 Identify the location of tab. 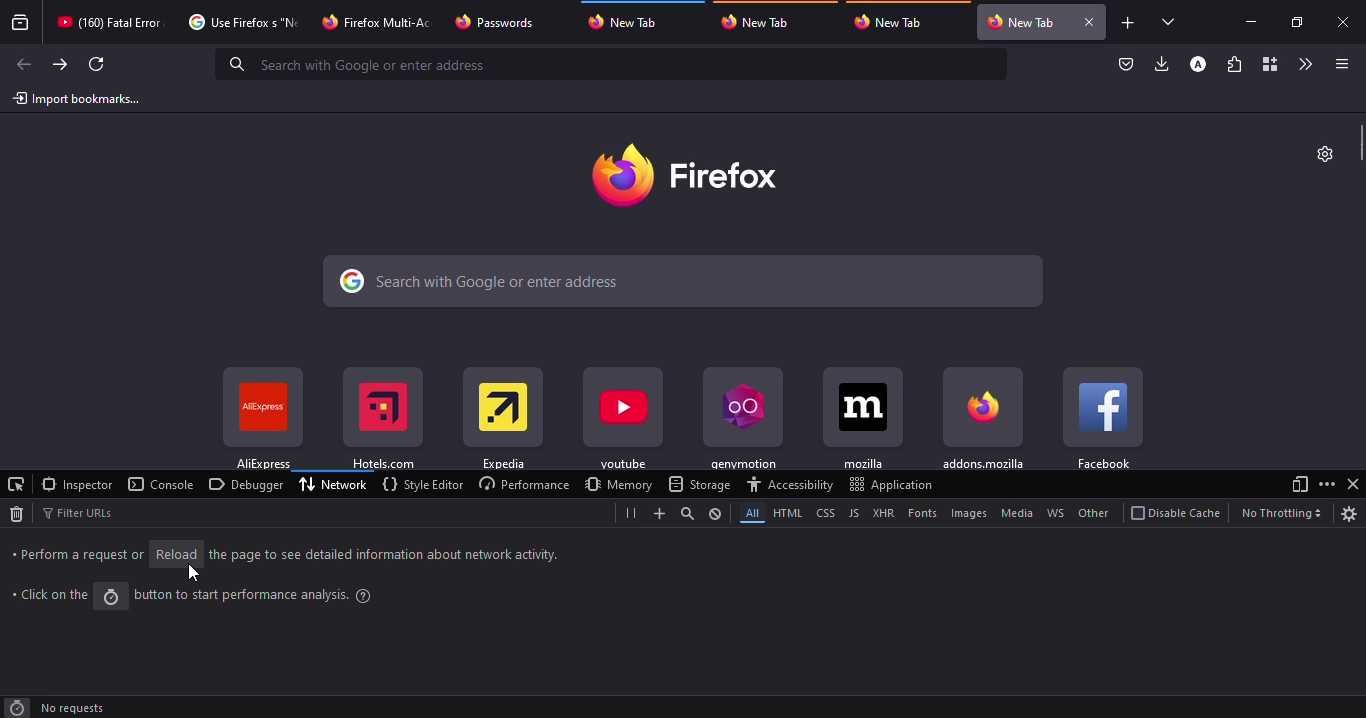
(503, 22).